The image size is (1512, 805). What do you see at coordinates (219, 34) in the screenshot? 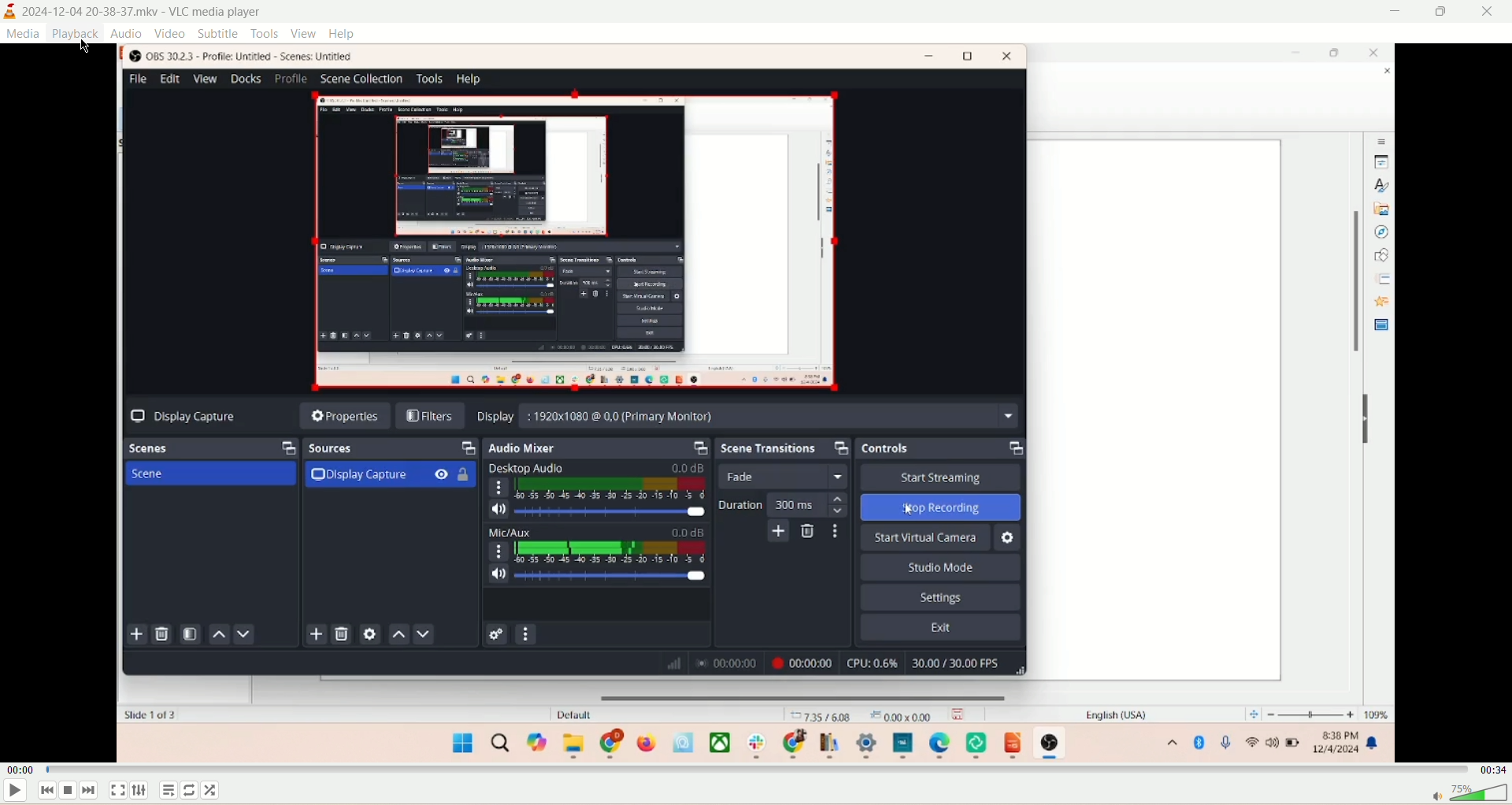
I see `subtitle` at bounding box center [219, 34].